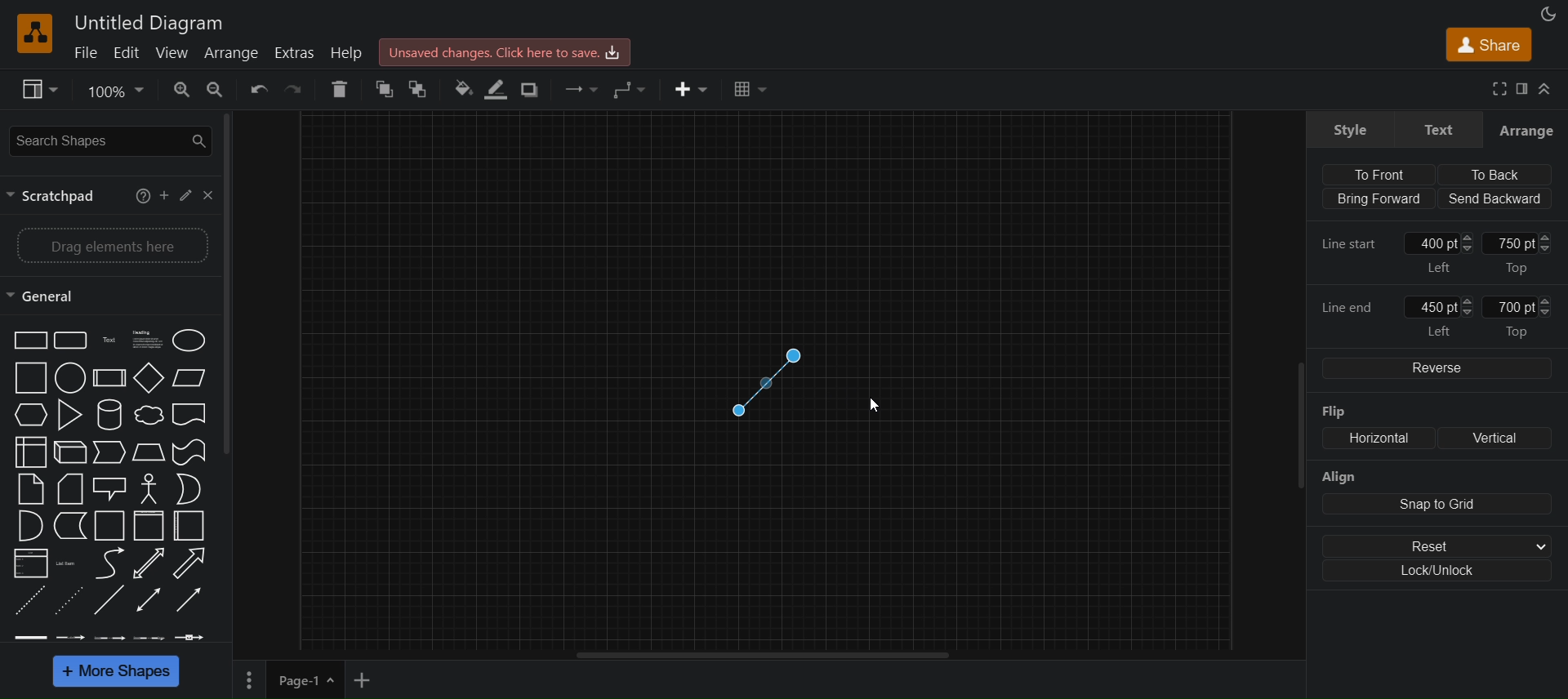 The height and width of the screenshot is (699, 1568). Describe the element at coordinates (28, 340) in the screenshot. I see `Rectangle` at that location.